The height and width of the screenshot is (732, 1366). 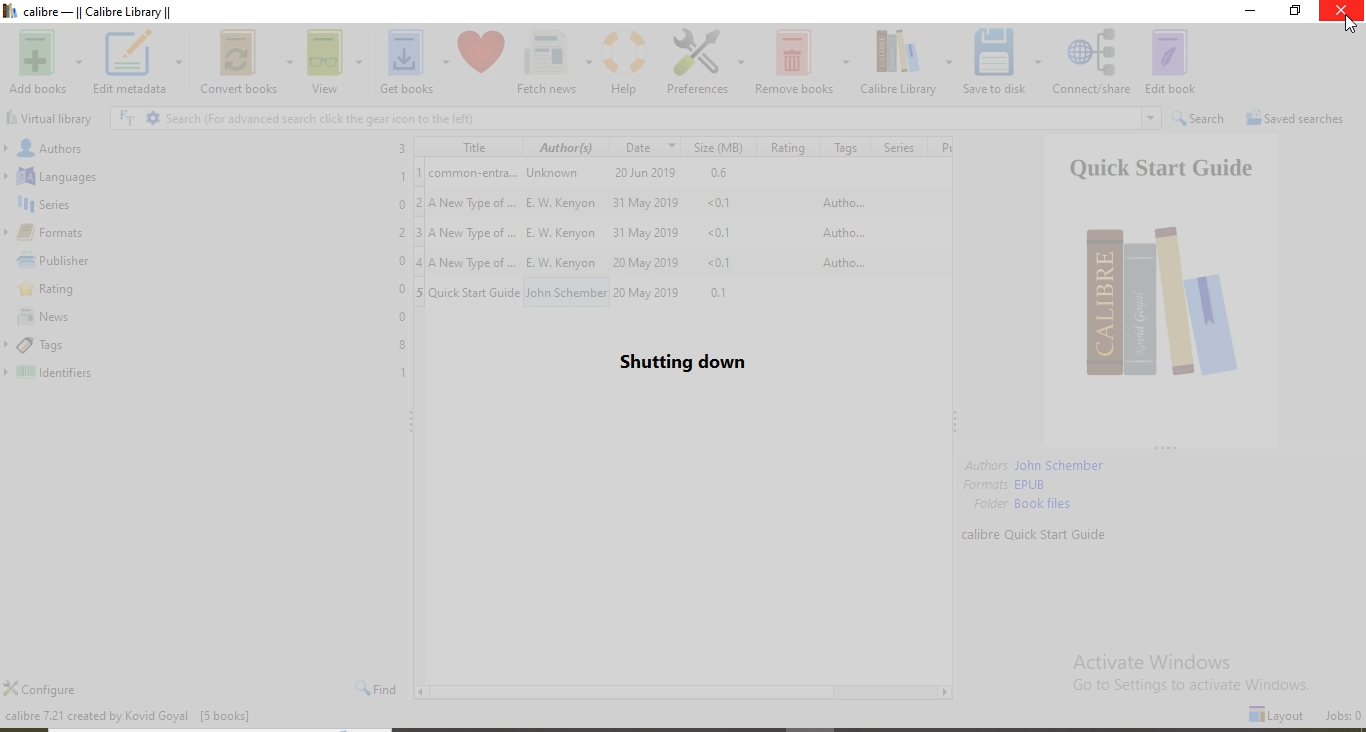 I want to click on 0.1, so click(x=725, y=291).